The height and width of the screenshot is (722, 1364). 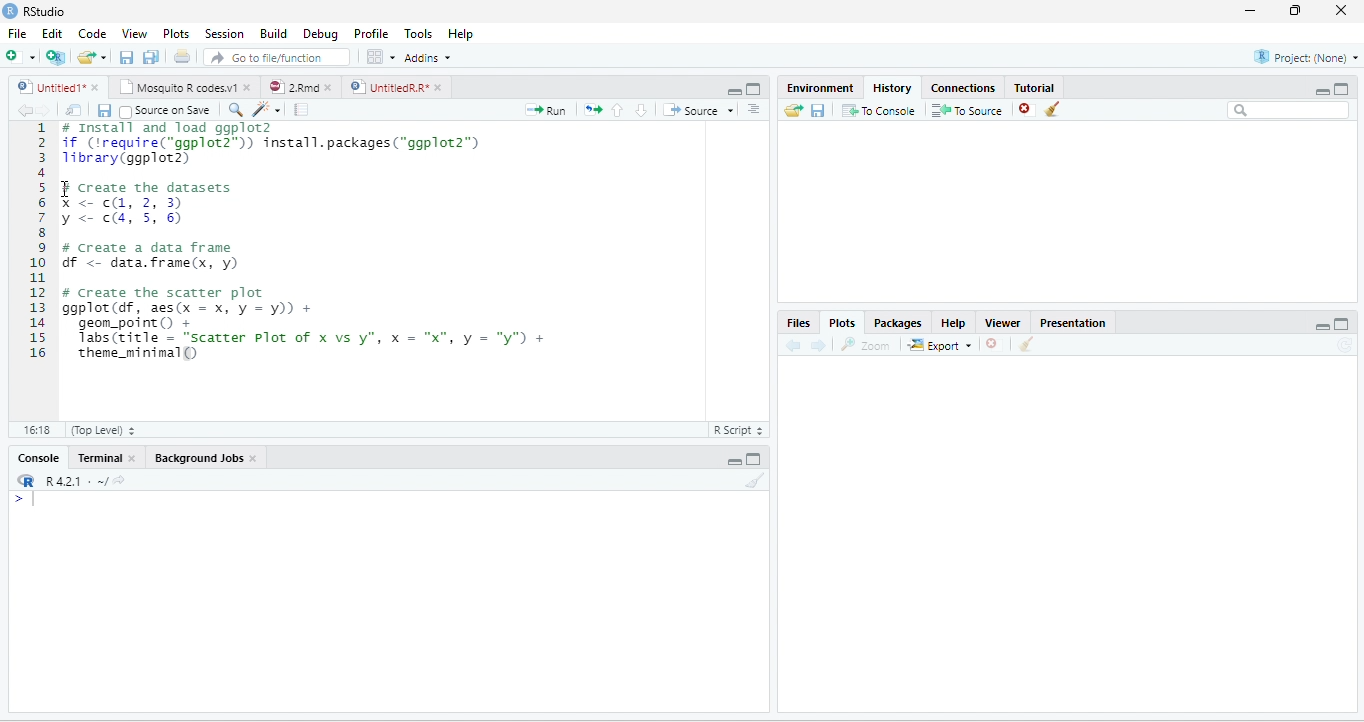 What do you see at coordinates (387, 87) in the screenshot?
I see `UntitledR.R*` at bounding box center [387, 87].